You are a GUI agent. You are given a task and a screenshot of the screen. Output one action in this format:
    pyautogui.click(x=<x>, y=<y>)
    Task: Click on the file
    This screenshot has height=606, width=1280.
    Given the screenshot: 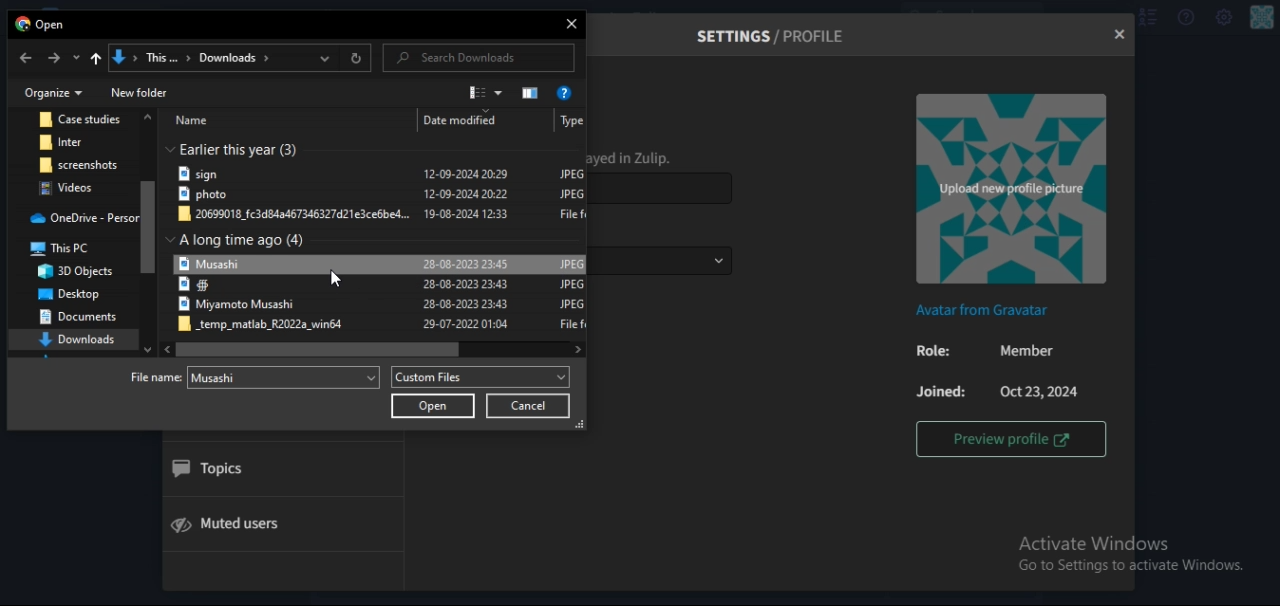 What is the action you would take?
    pyautogui.click(x=382, y=264)
    